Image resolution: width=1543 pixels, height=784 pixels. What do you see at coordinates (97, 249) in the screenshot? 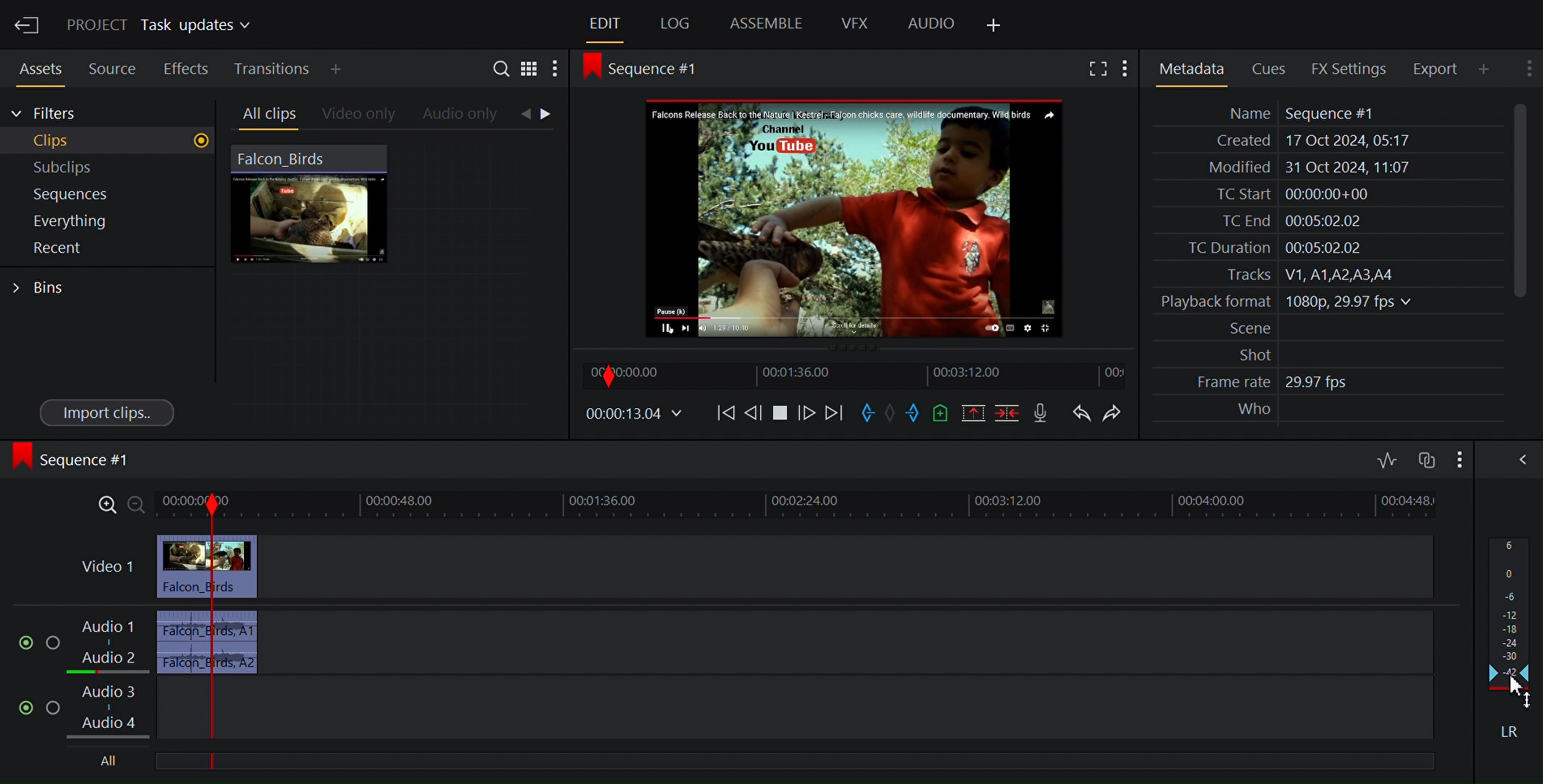
I see `Recent` at bounding box center [97, 249].